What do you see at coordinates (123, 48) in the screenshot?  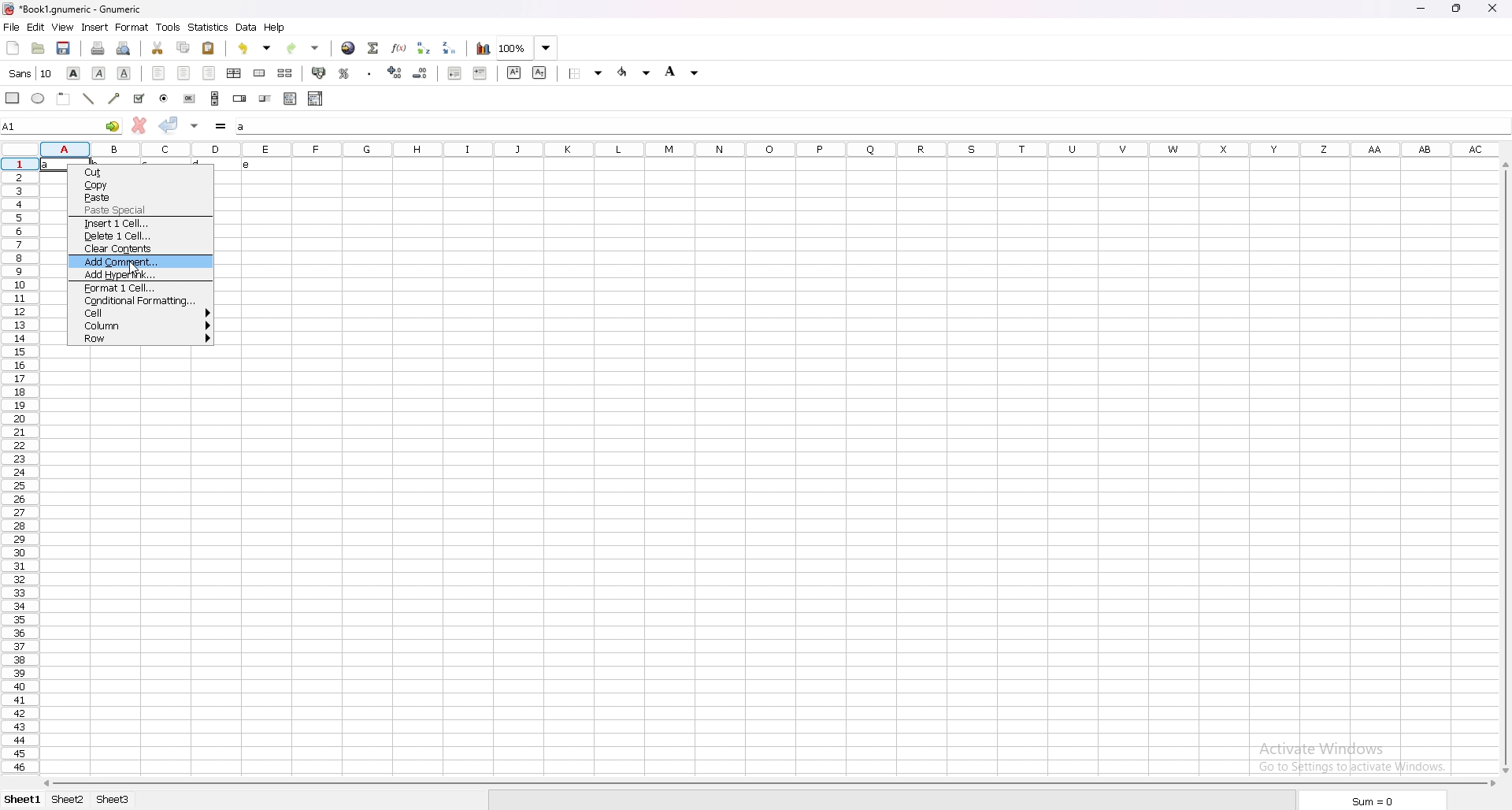 I see `print preview` at bounding box center [123, 48].